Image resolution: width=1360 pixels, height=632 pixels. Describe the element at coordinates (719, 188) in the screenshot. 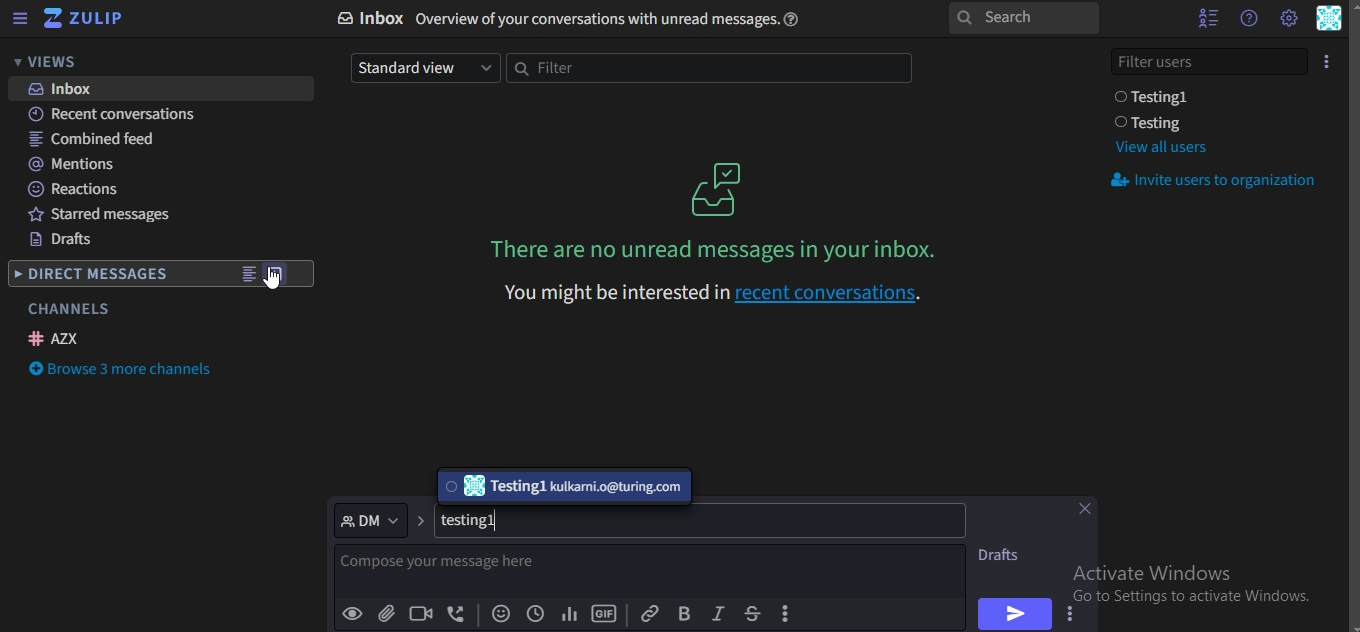

I see `icon` at that location.